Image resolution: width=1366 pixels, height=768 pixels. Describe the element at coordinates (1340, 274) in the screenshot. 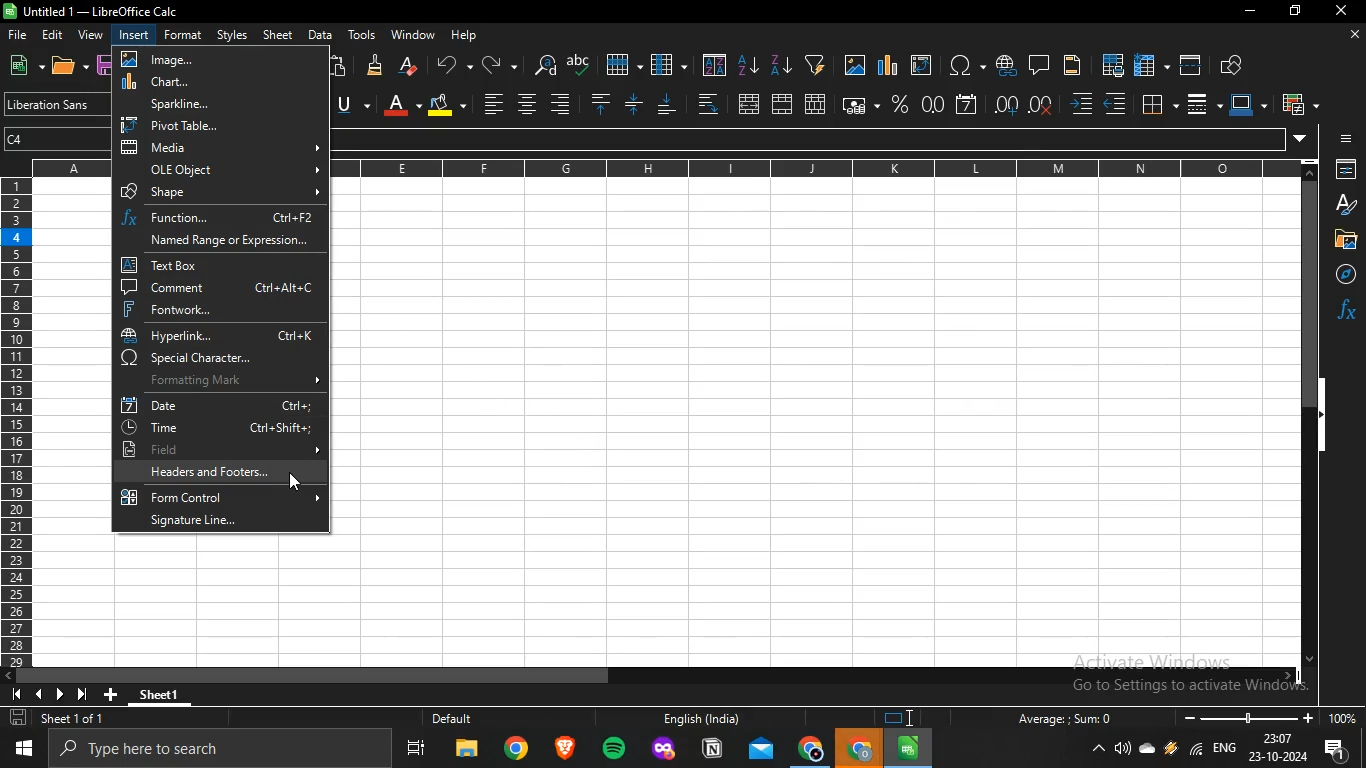

I see `navigator` at that location.